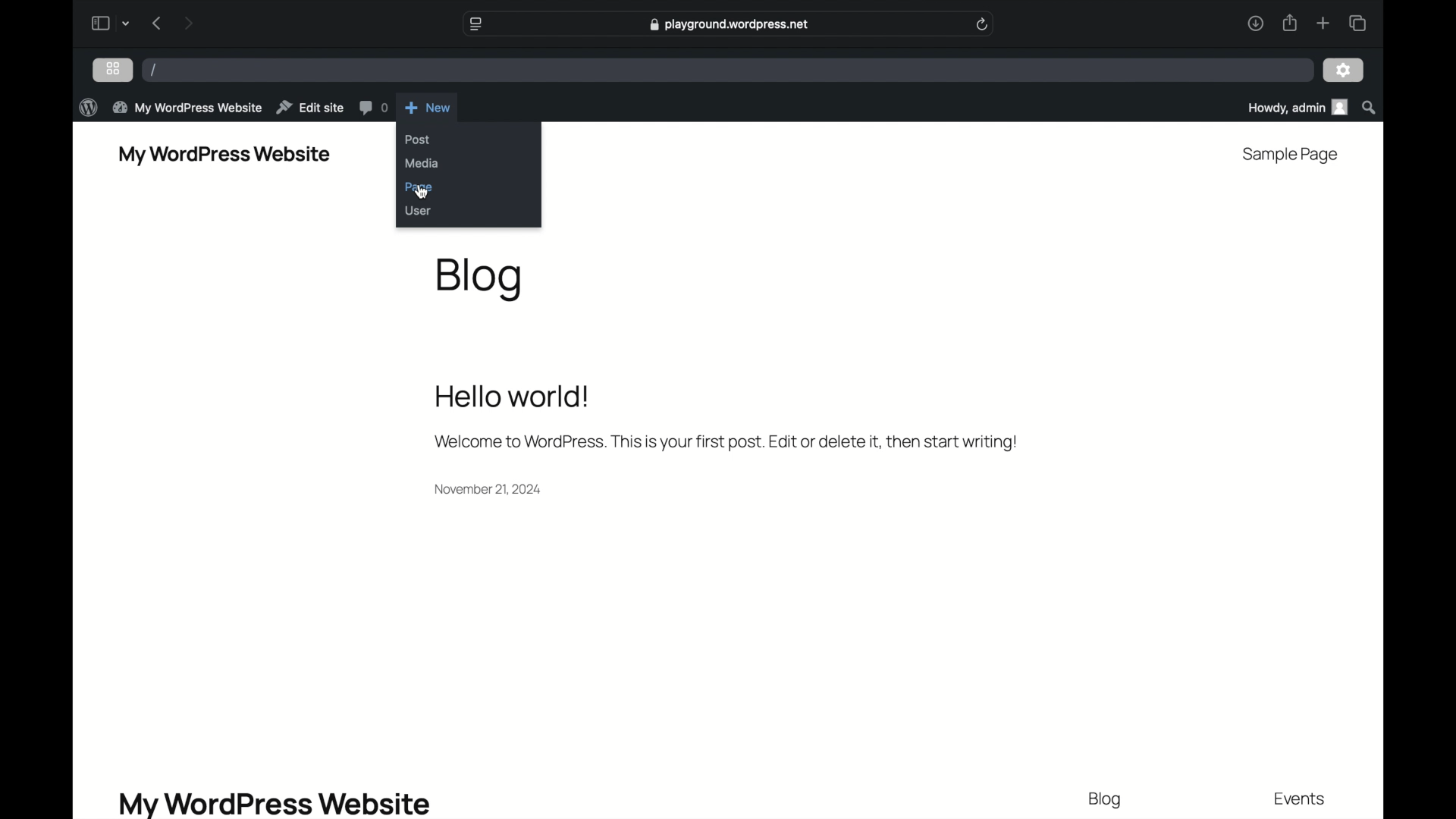  Describe the element at coordinates (421, 188) in the screenshot. I see `page` at that location.